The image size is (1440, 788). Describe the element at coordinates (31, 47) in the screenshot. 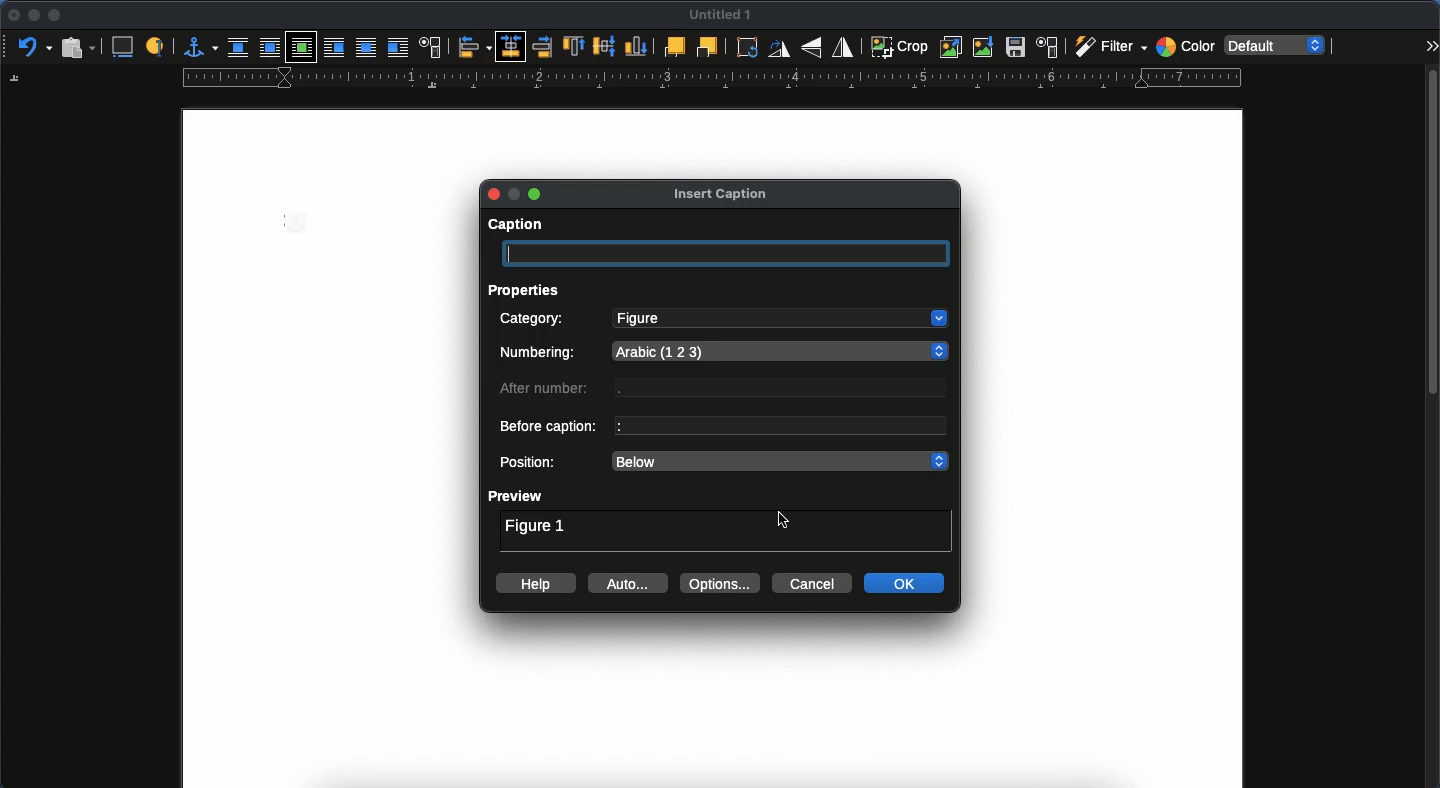

I see `undo` at that location.